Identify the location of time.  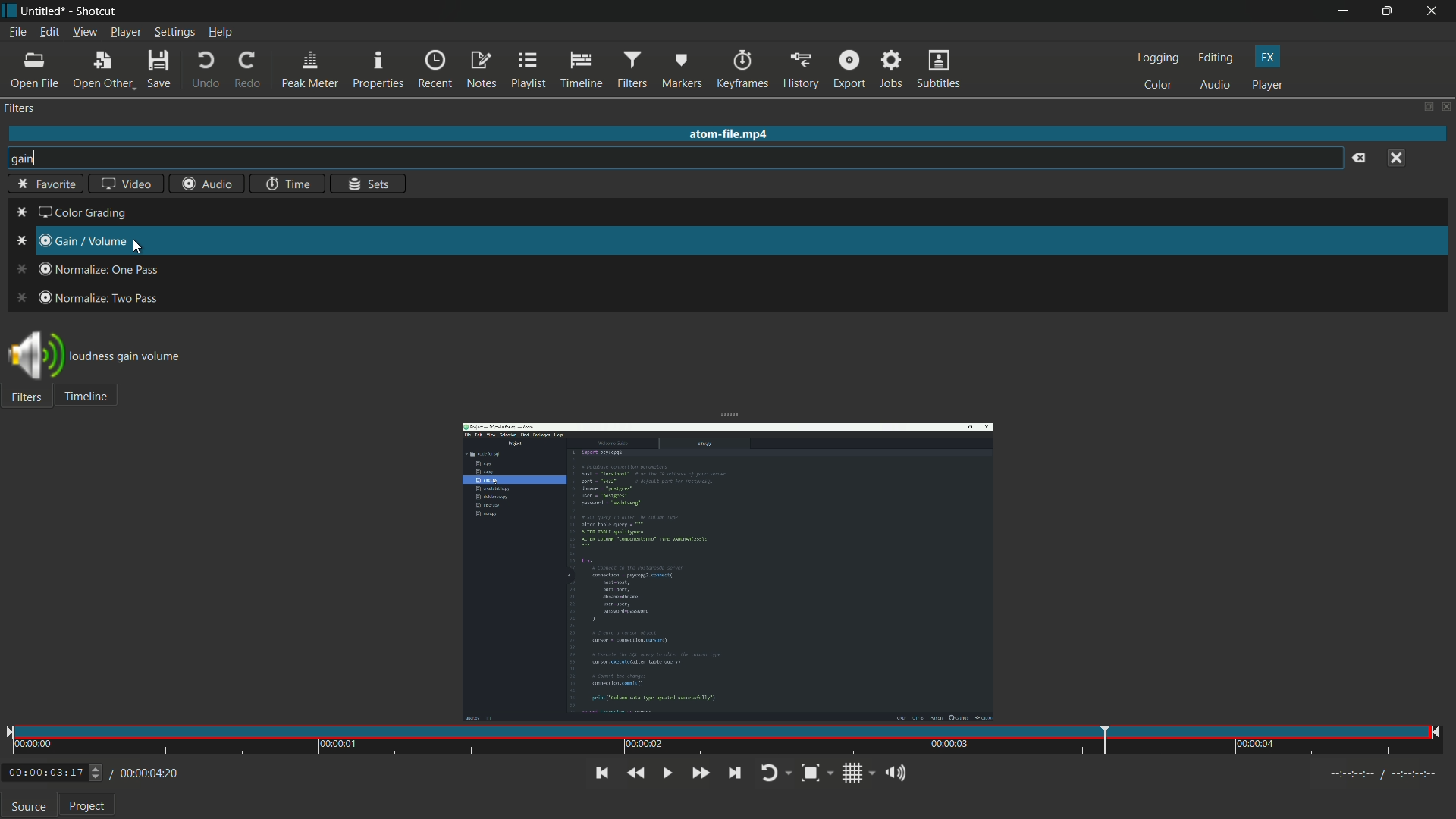
(288, 184).